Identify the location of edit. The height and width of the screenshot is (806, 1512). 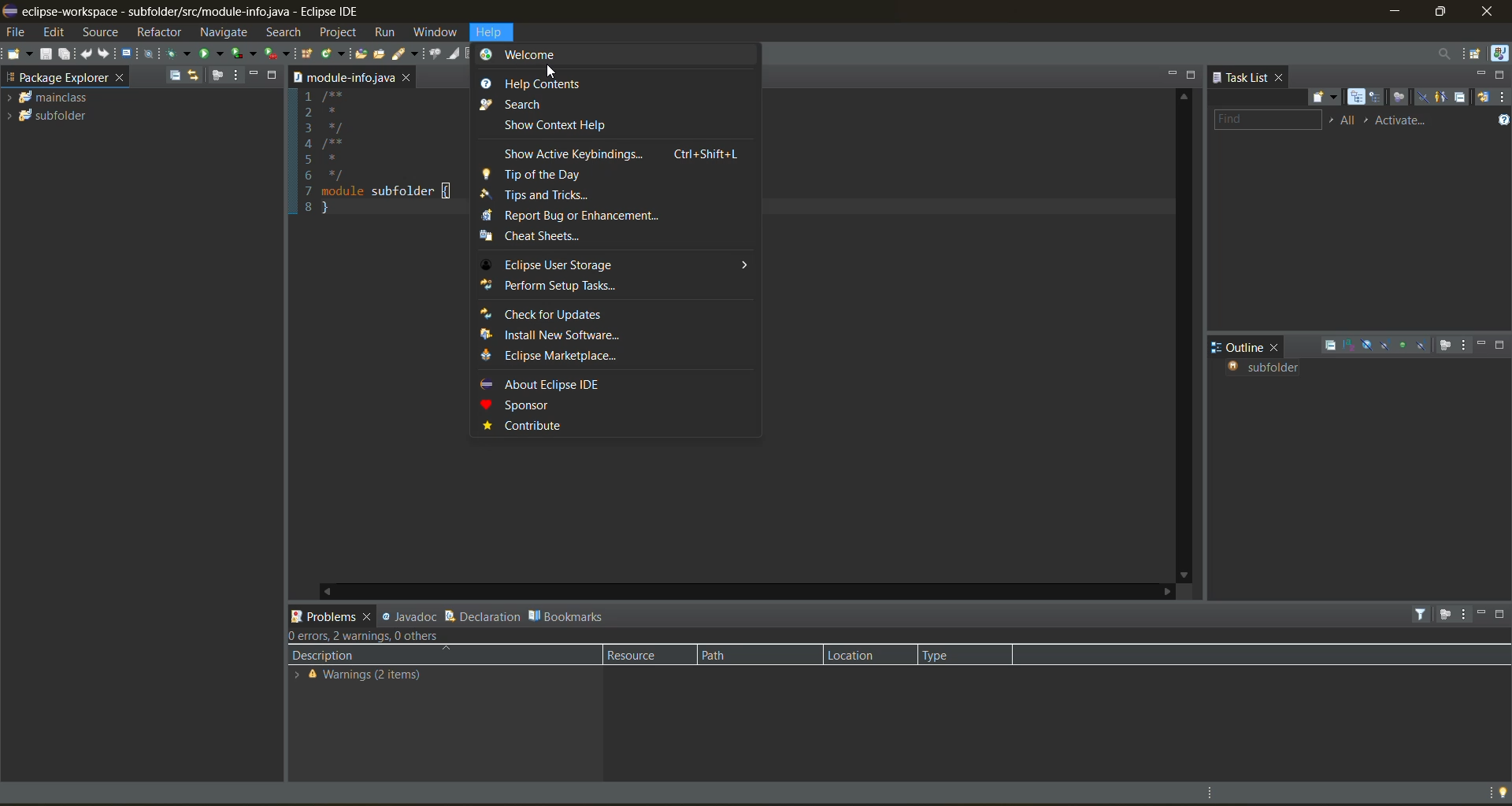
(57, 33).